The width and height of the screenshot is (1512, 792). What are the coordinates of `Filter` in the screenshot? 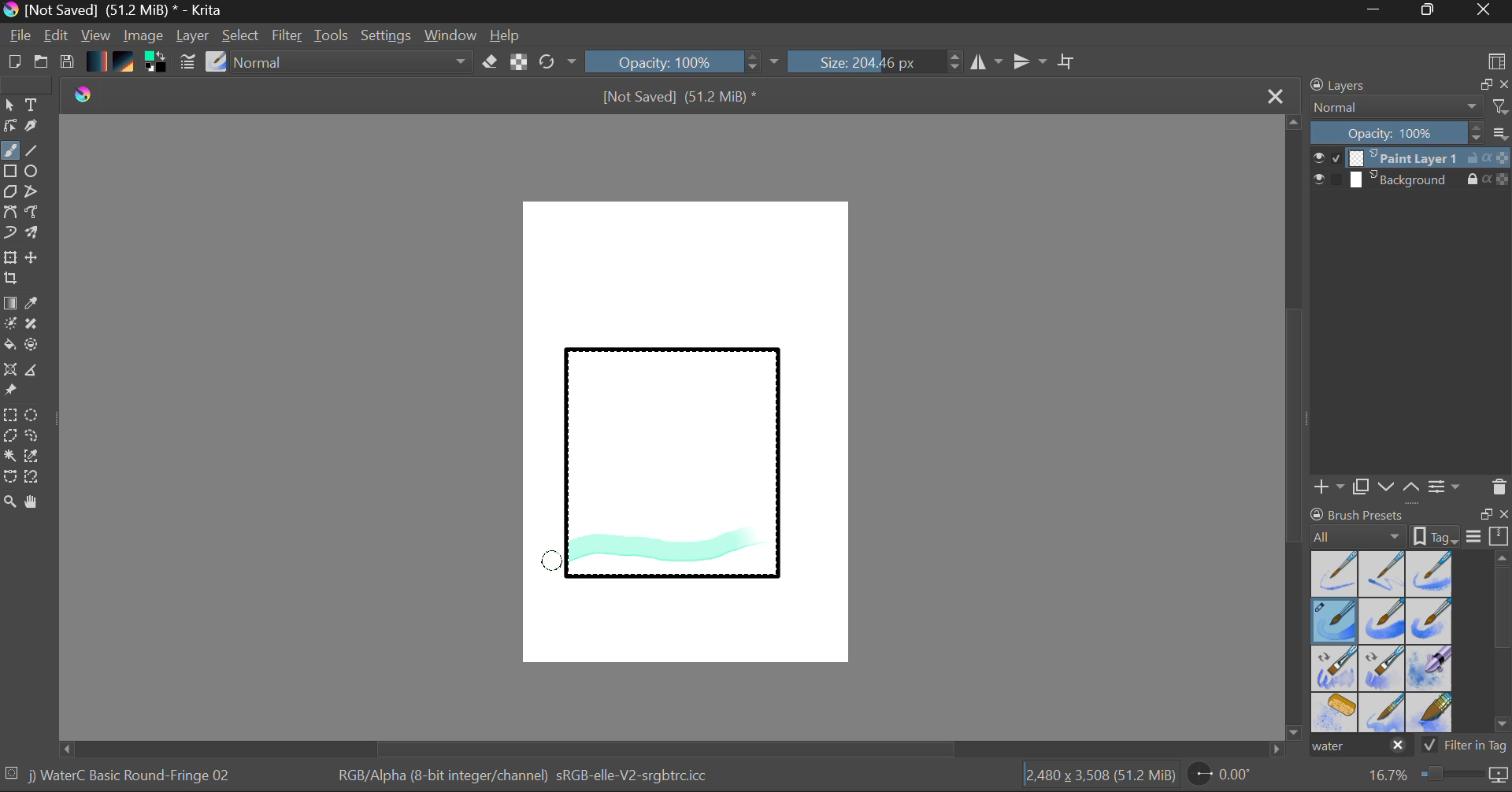 It's located at (289, 38).